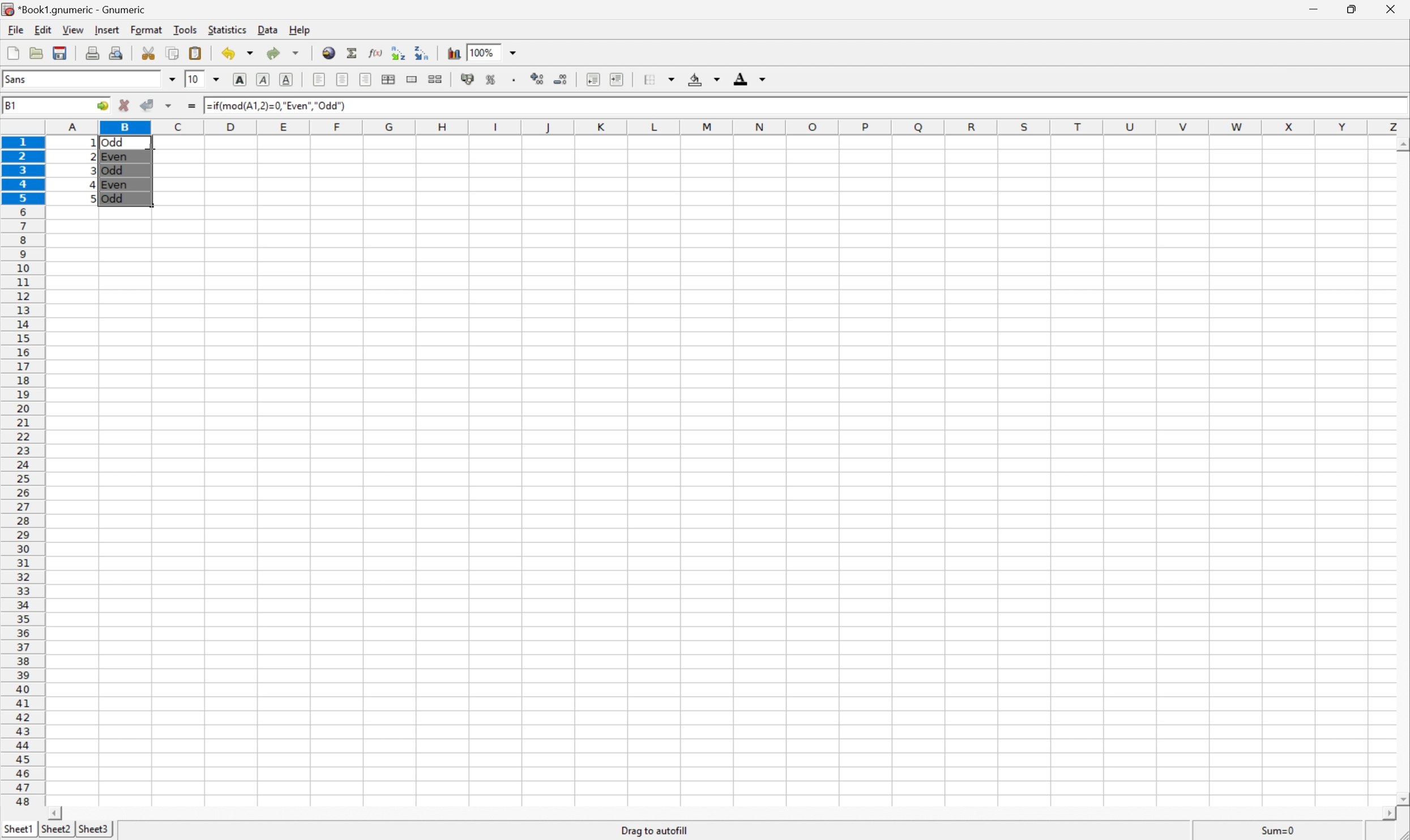 This screenshot has width=1410, height=840. Describe the element at coordinates (280, 107) in the screenshot. I see `=IF(MOD(A1,2)=0,"Even","Odd")` at that location.